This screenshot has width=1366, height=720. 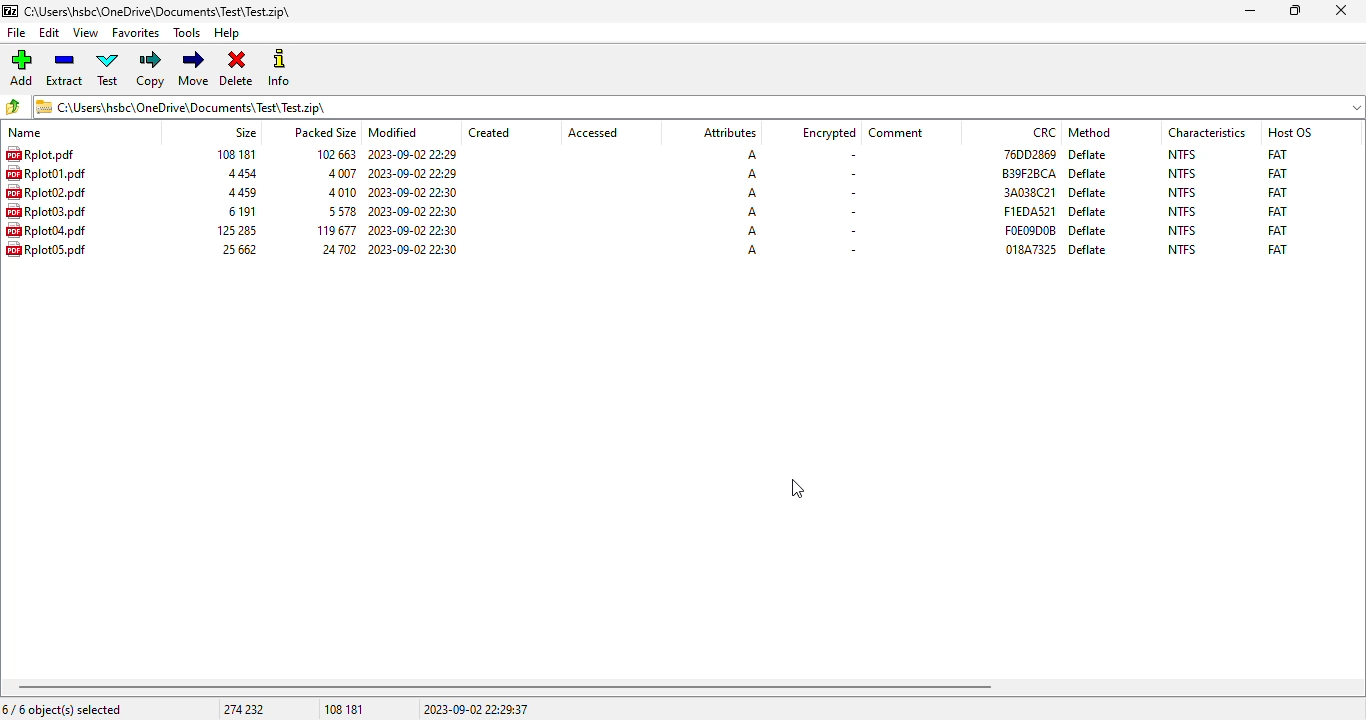 What do you see at coordinates (332, 153) in the screenshot?
I see `packed size` at bounding box center [332, 153].